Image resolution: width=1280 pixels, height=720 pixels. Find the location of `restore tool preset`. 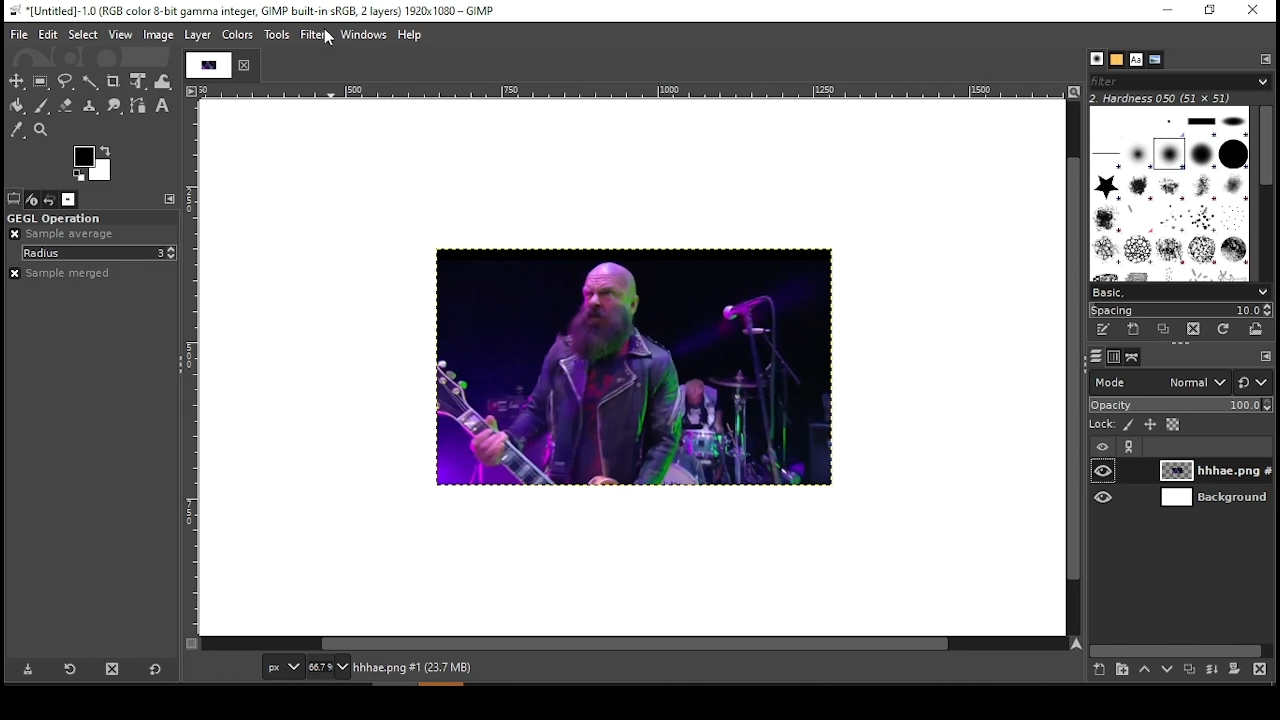

restore tool preset is located at coordinates (68, 668).